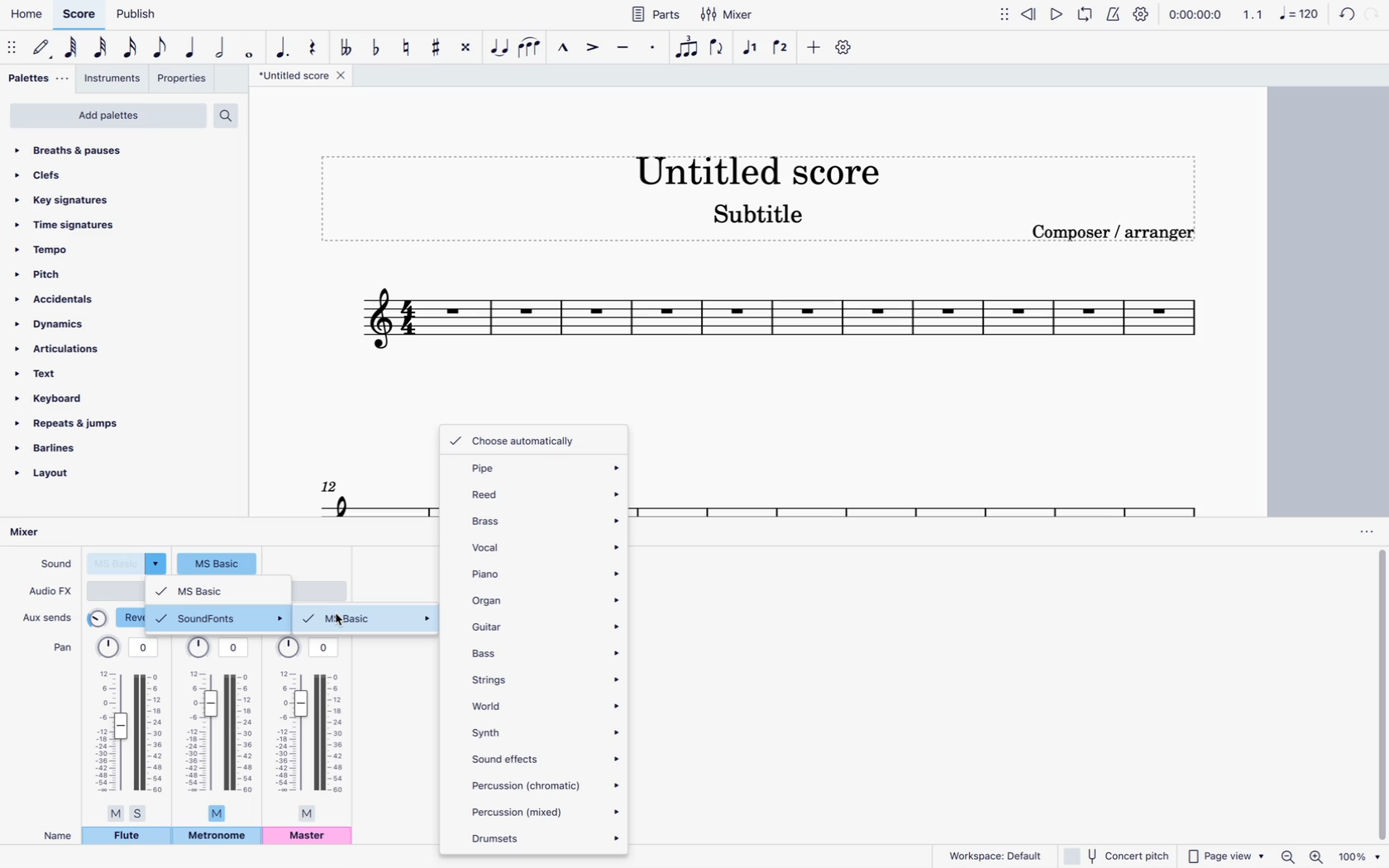 This screenshot has height=868, width=1389. I want to click on sound effects, so click(545, 756).